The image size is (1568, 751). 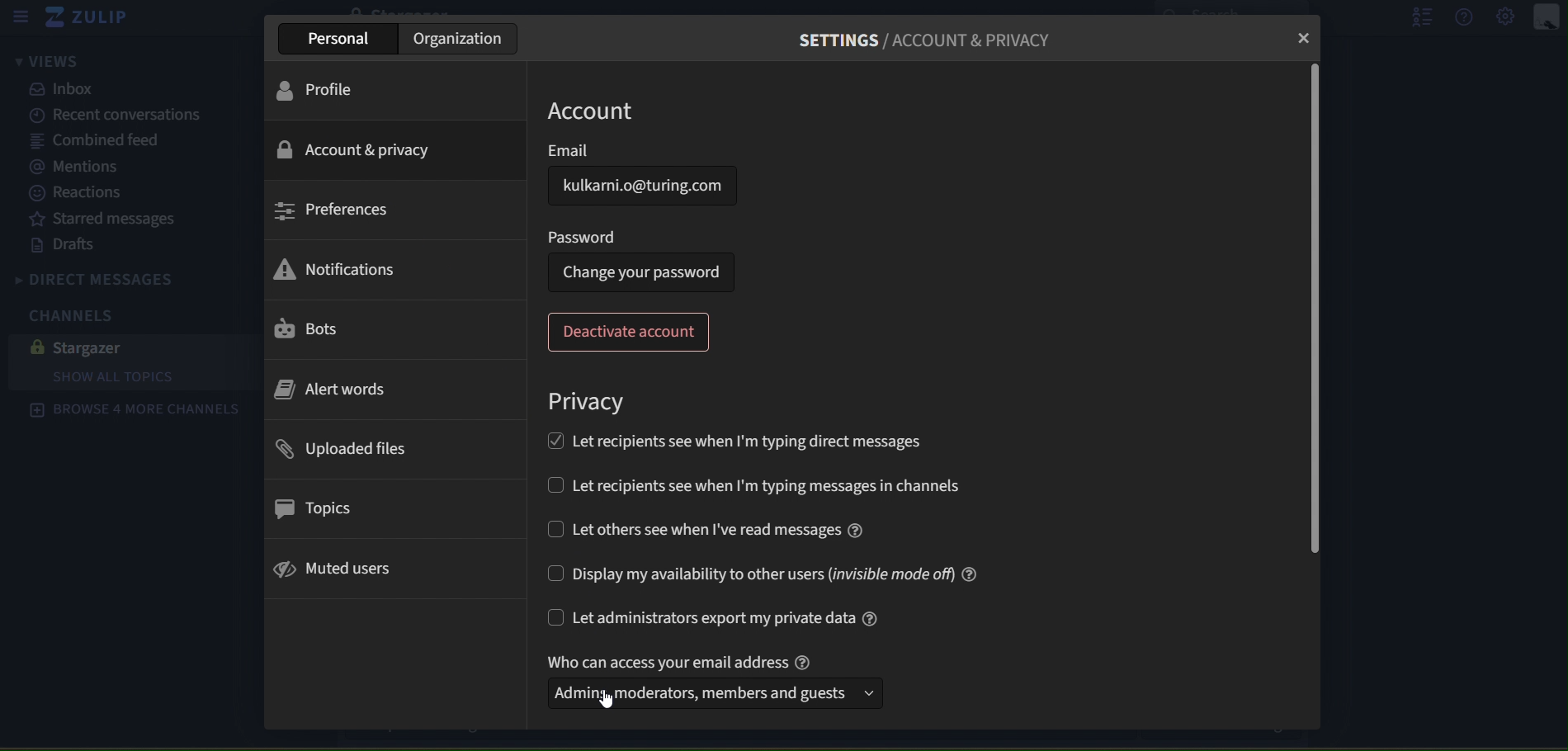 I want to click on organization, so click(x=460, y=38).